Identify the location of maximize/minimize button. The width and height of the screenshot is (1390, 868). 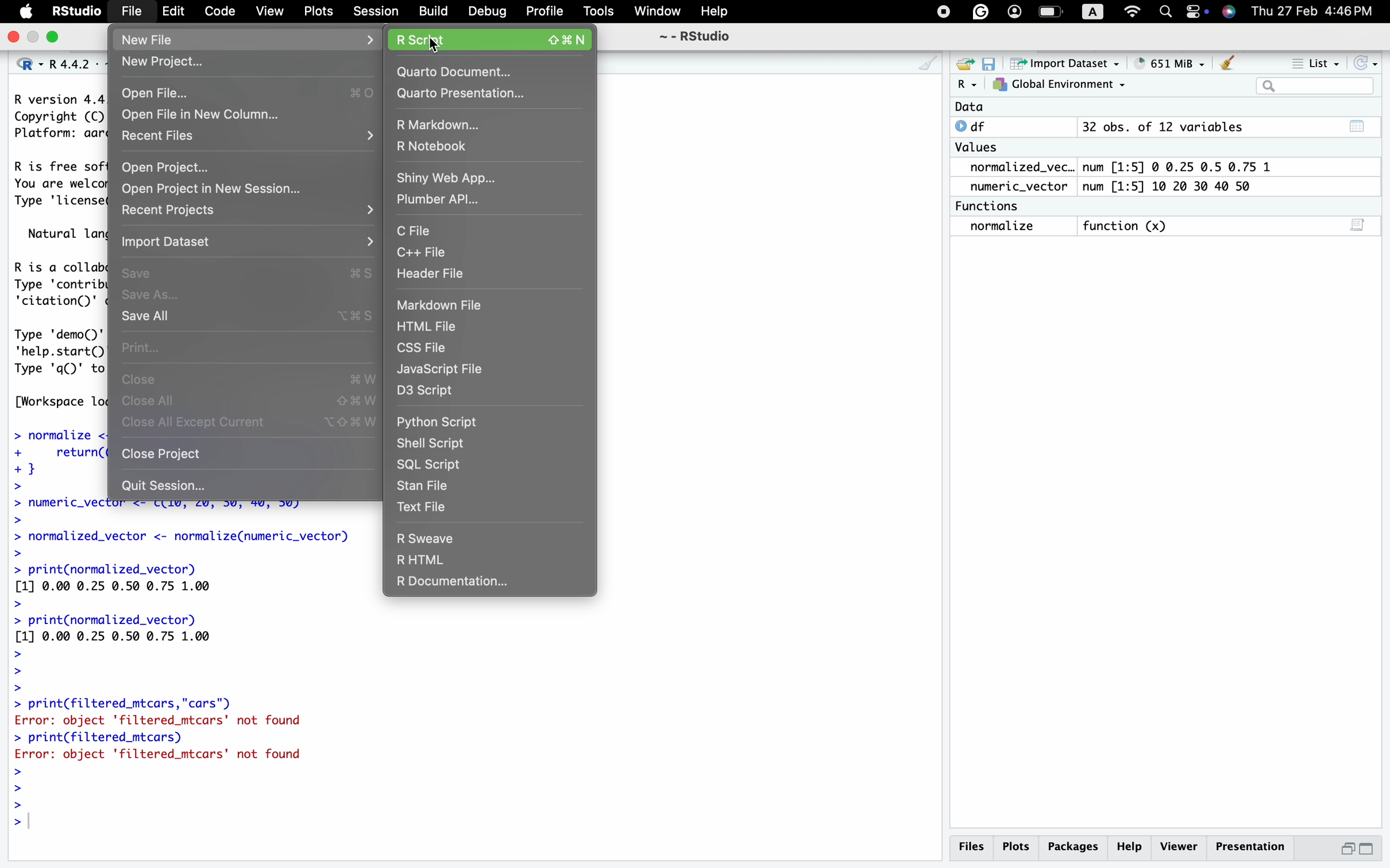
(1358, 848).